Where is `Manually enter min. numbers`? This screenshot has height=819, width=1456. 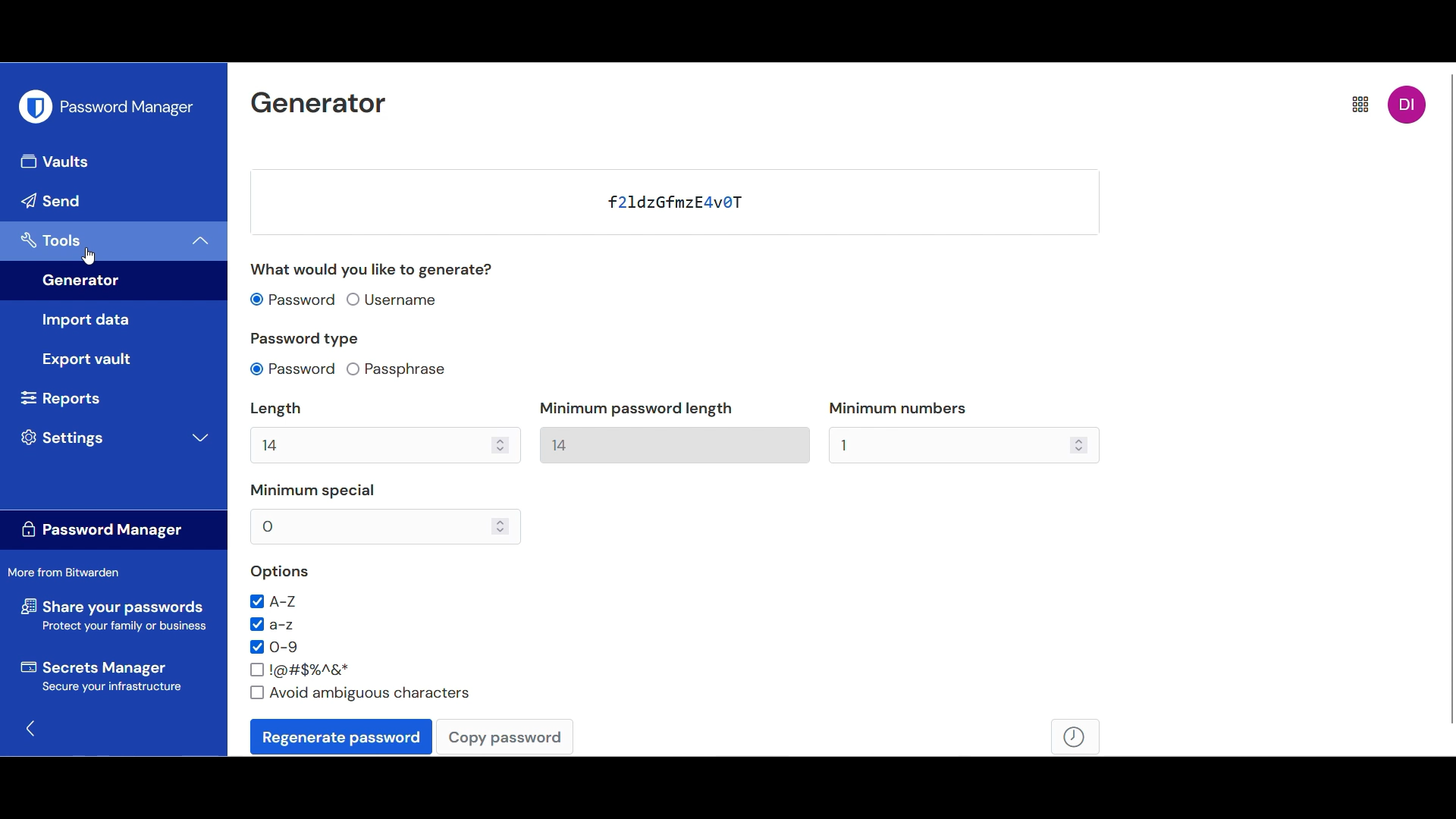
Manually enter min. numbers is located at coordinates (949, 445).